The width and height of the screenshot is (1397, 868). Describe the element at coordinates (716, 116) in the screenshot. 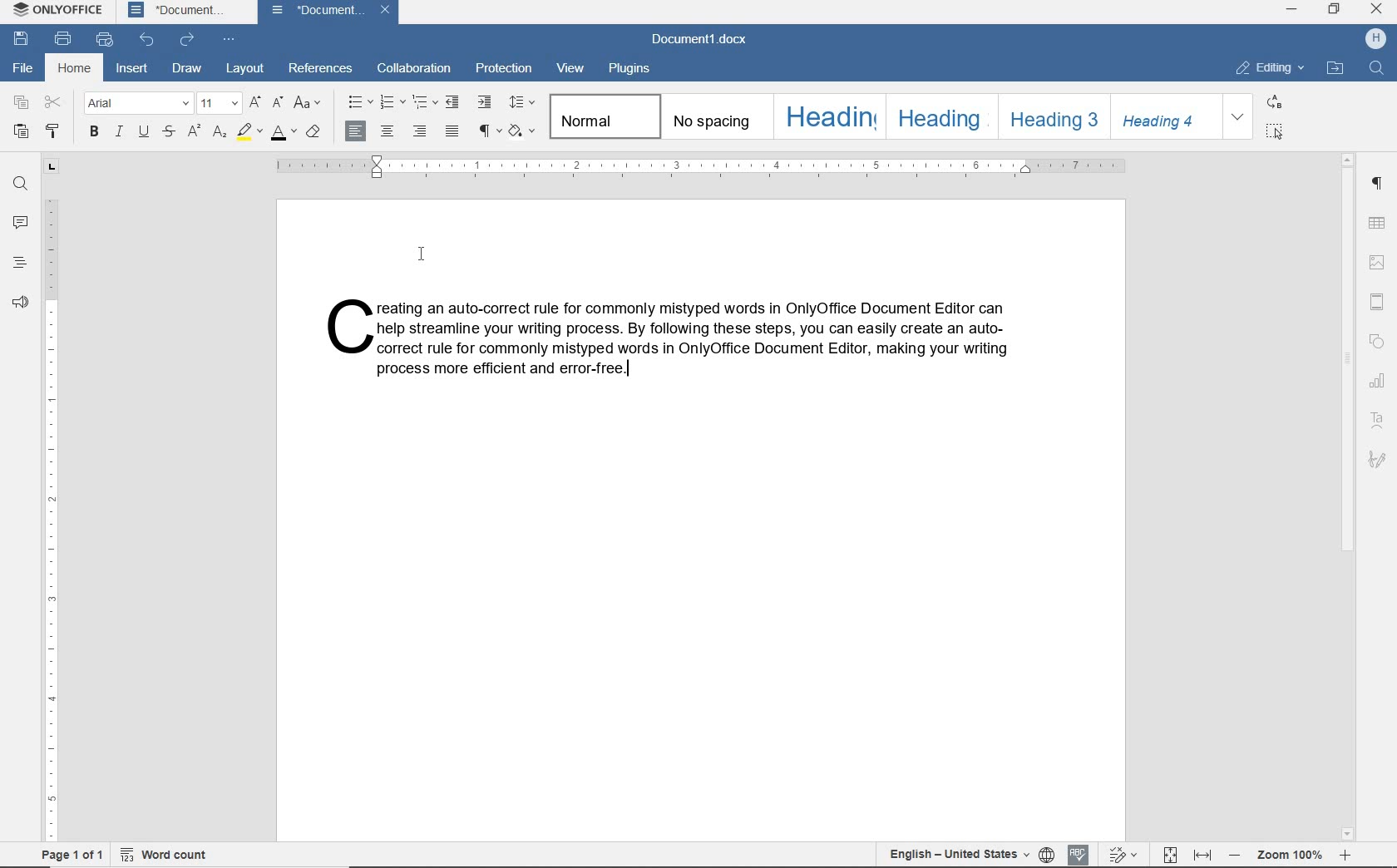

I see `NO SPACING` at that location.